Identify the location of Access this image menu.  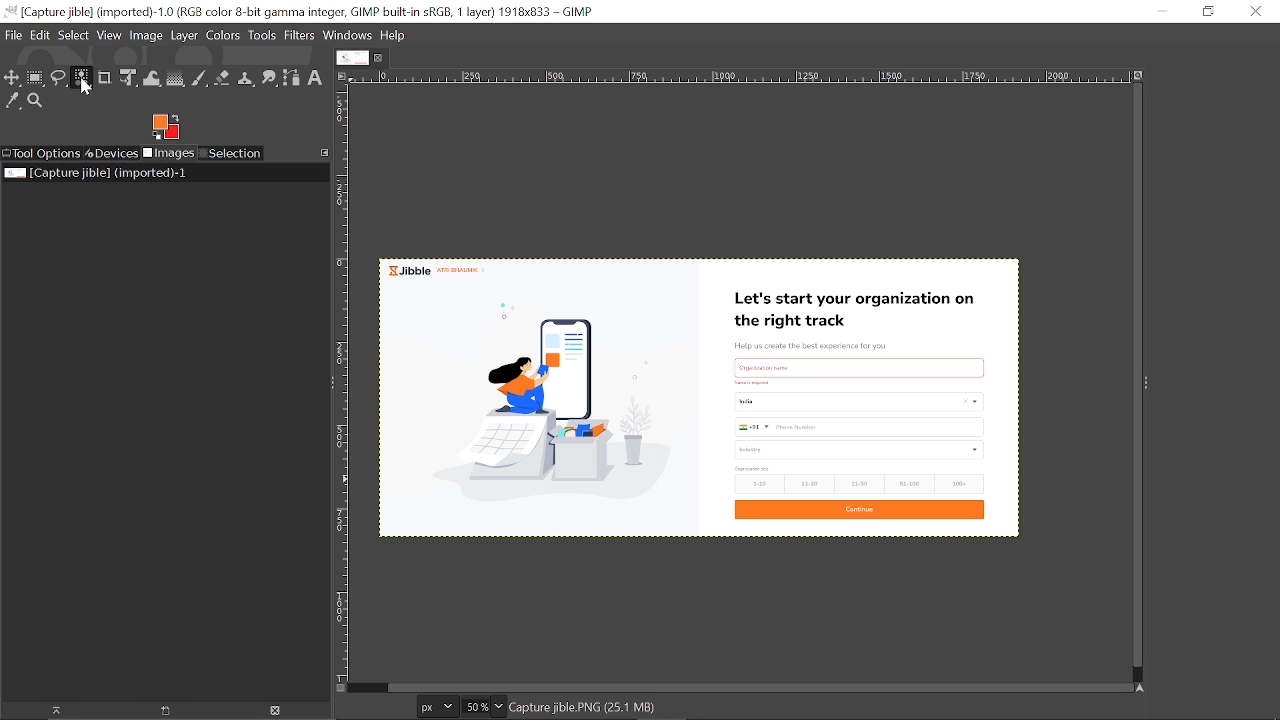
(341, 75).